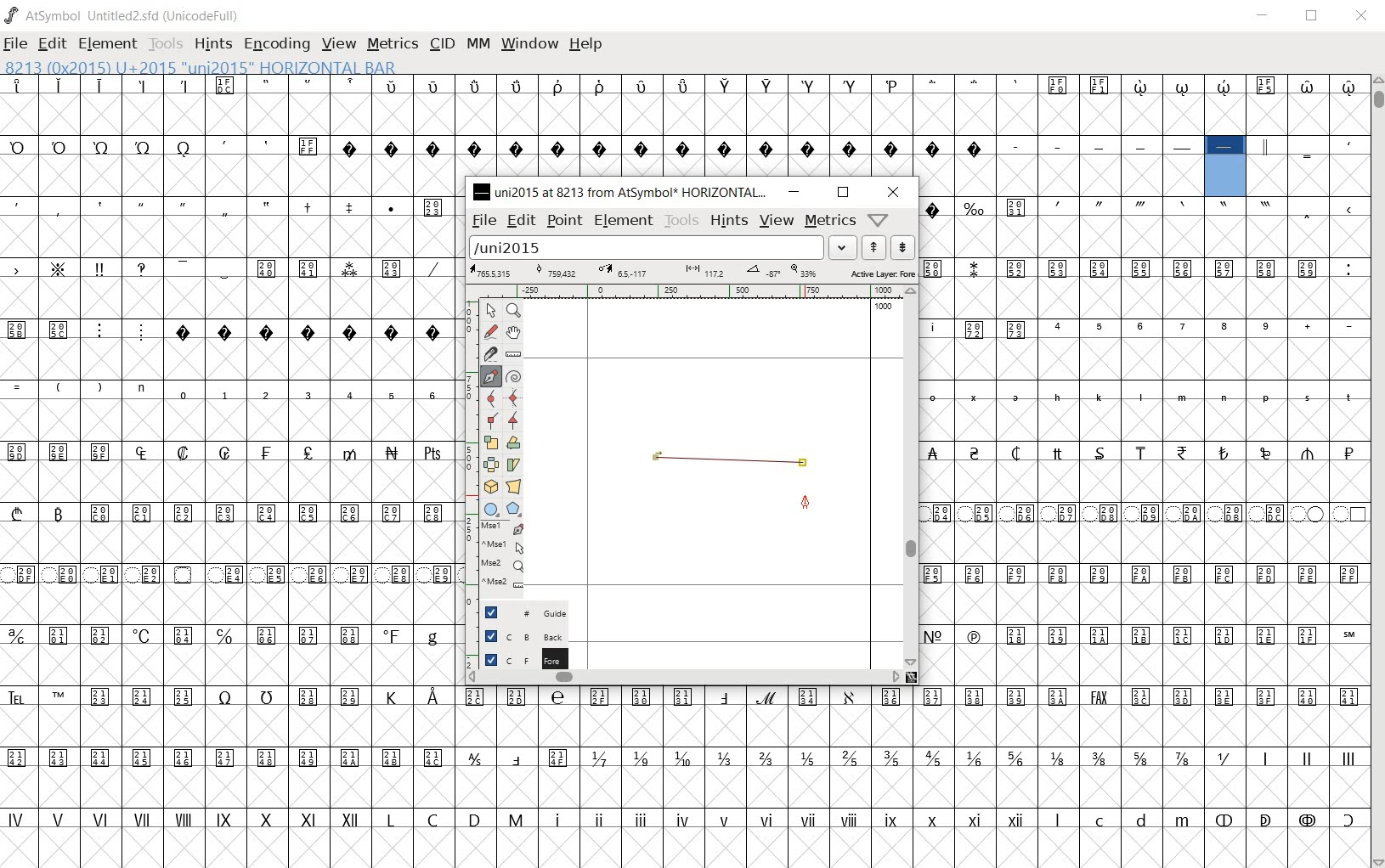  Describe the element at coordinates (479, 45) in the screenshot. I see `MM` at that location.